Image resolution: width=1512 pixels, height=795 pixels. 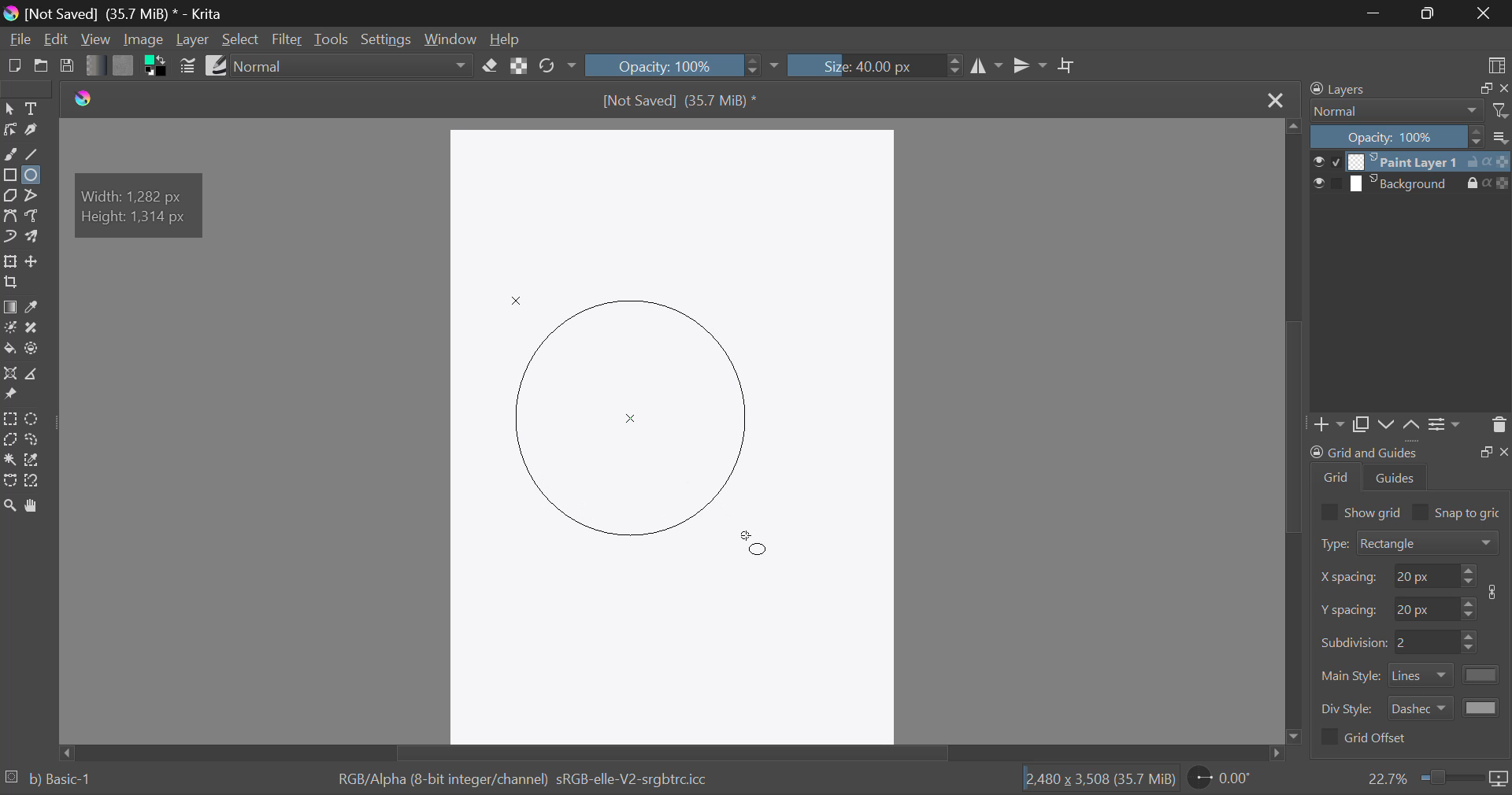 I want to click on File Name & Size, so click(x=684, y=102).